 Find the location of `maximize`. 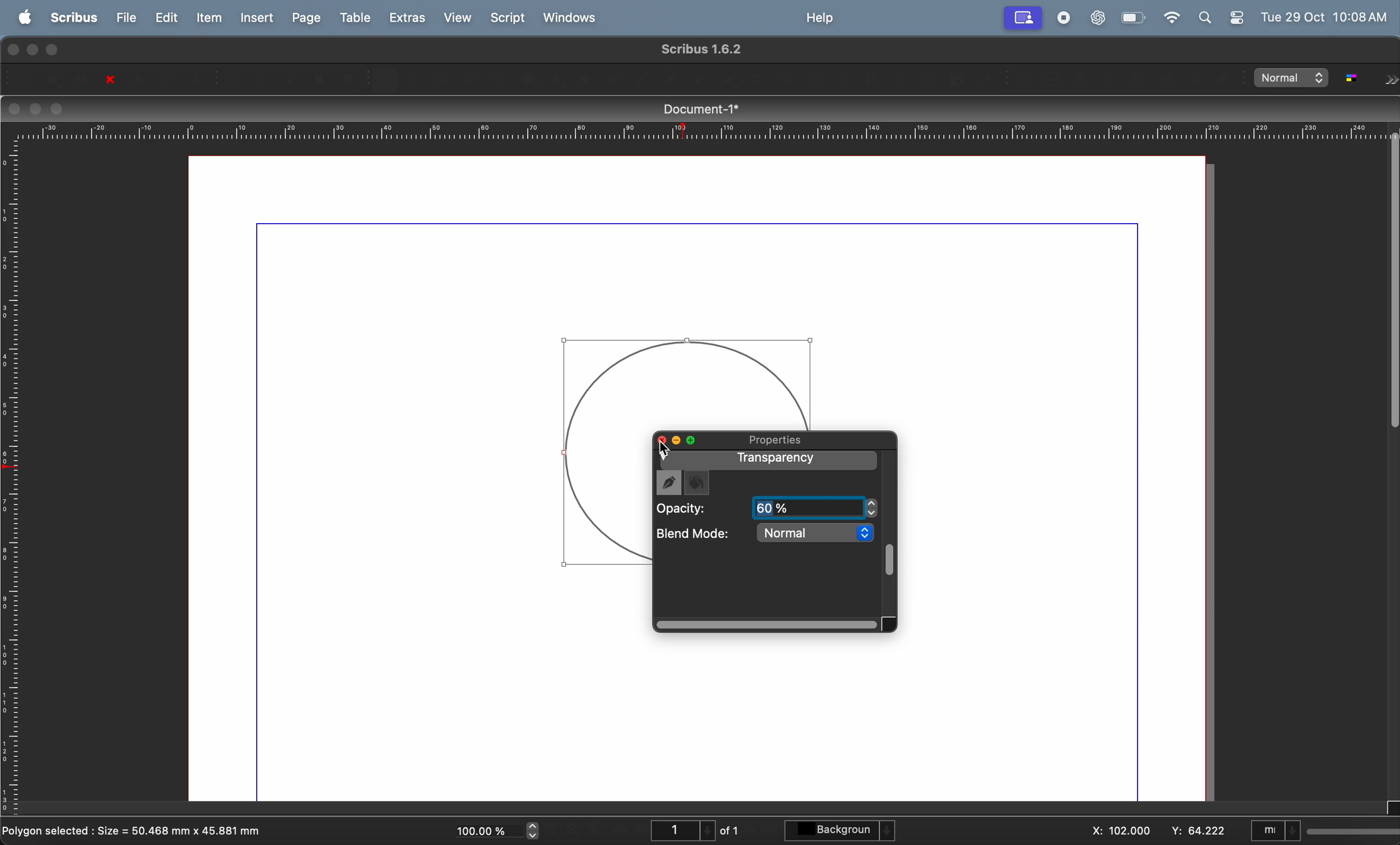

maximize is located at coordinates (658, 440).